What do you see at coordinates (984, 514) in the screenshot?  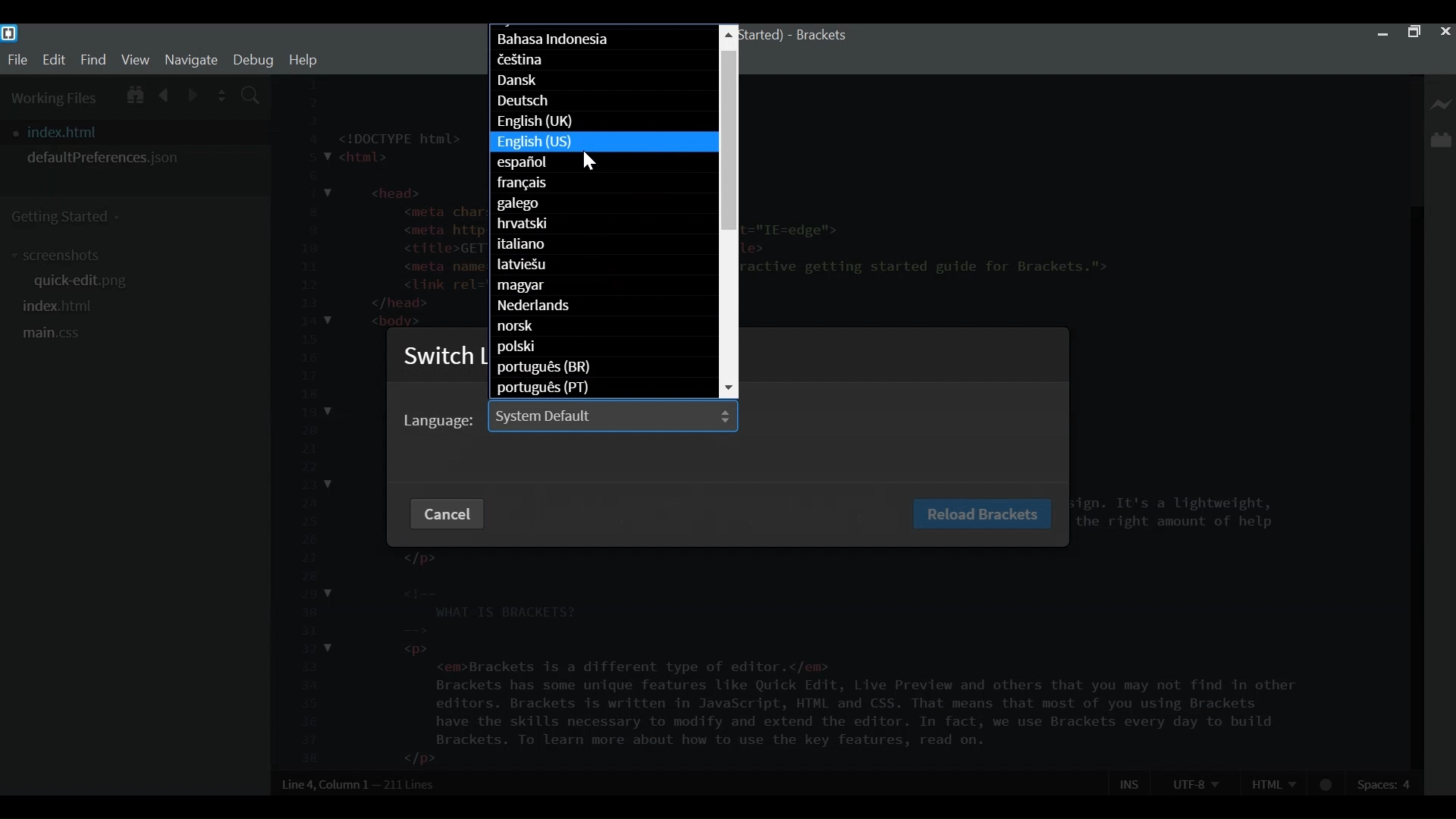 I see `Reload Brackets` at bounding box center [984, 514].